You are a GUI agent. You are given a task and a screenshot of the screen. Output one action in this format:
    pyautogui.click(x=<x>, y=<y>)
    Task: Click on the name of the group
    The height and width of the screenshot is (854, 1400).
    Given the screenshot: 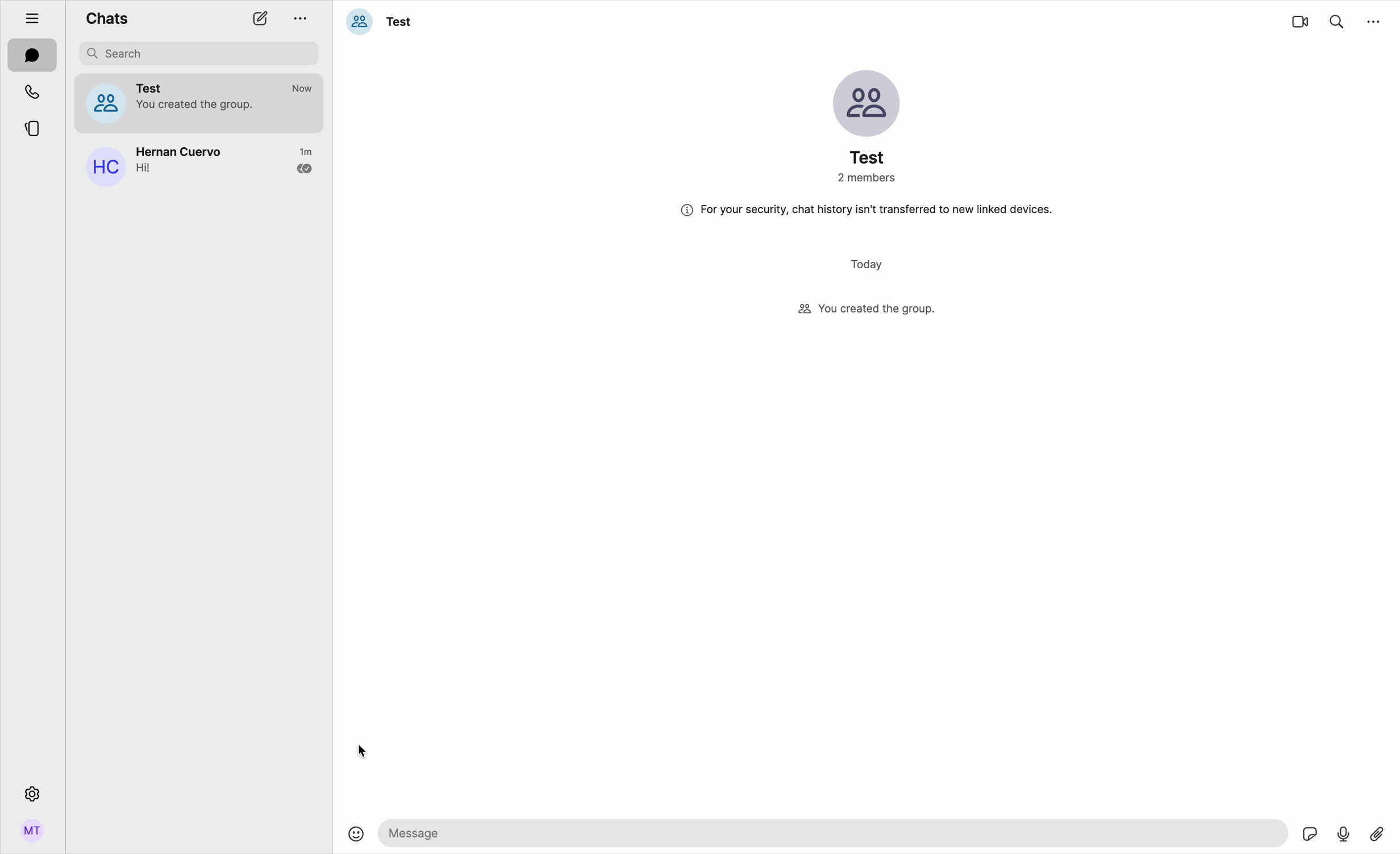 What is the action you would take?
    pyautogui.click(x=866, y=126)
    